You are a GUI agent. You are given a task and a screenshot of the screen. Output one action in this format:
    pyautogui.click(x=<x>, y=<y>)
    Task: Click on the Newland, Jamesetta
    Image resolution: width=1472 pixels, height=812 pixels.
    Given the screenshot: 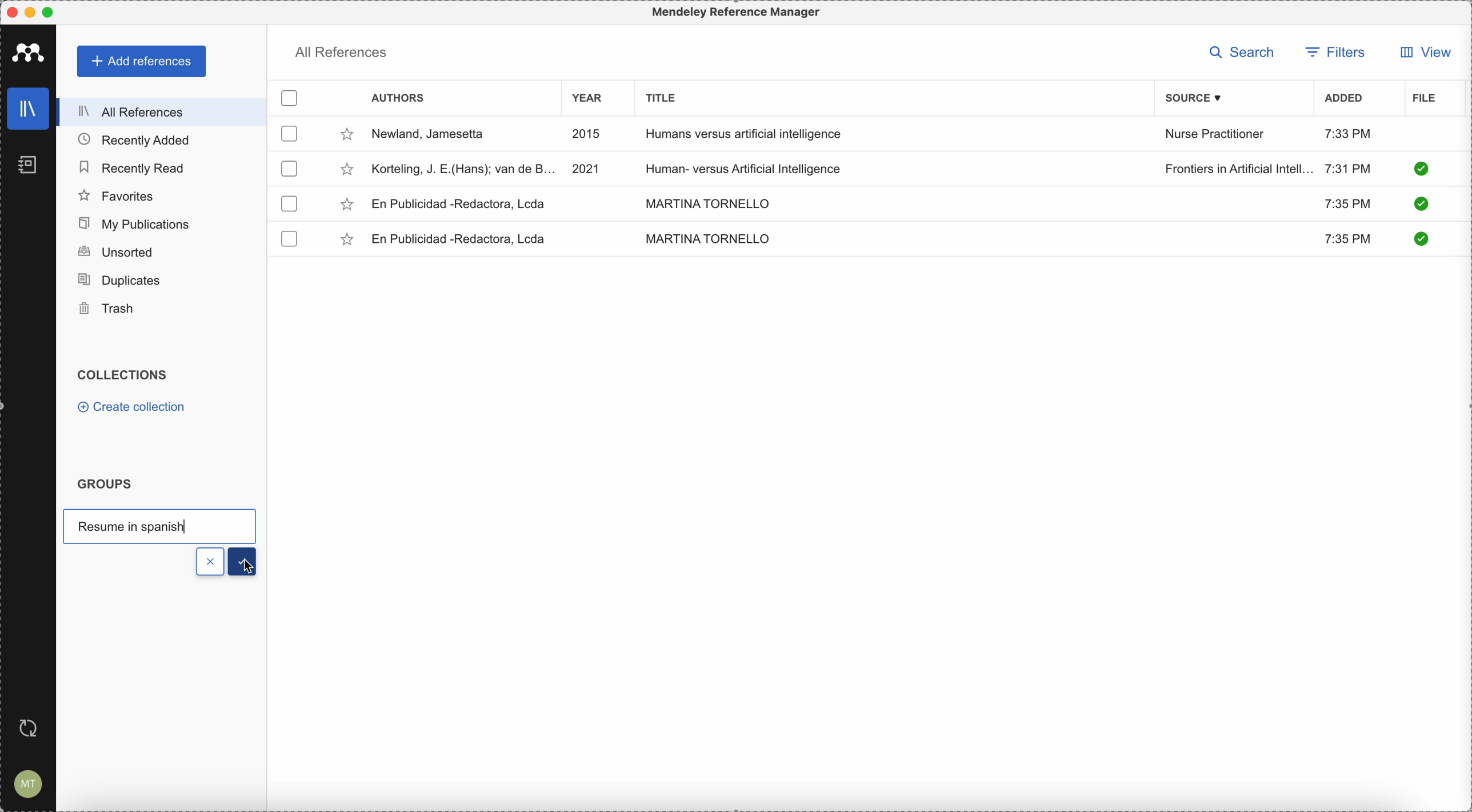 What is the action you would take?
    pyautogui.click(x=434, y=135)
    